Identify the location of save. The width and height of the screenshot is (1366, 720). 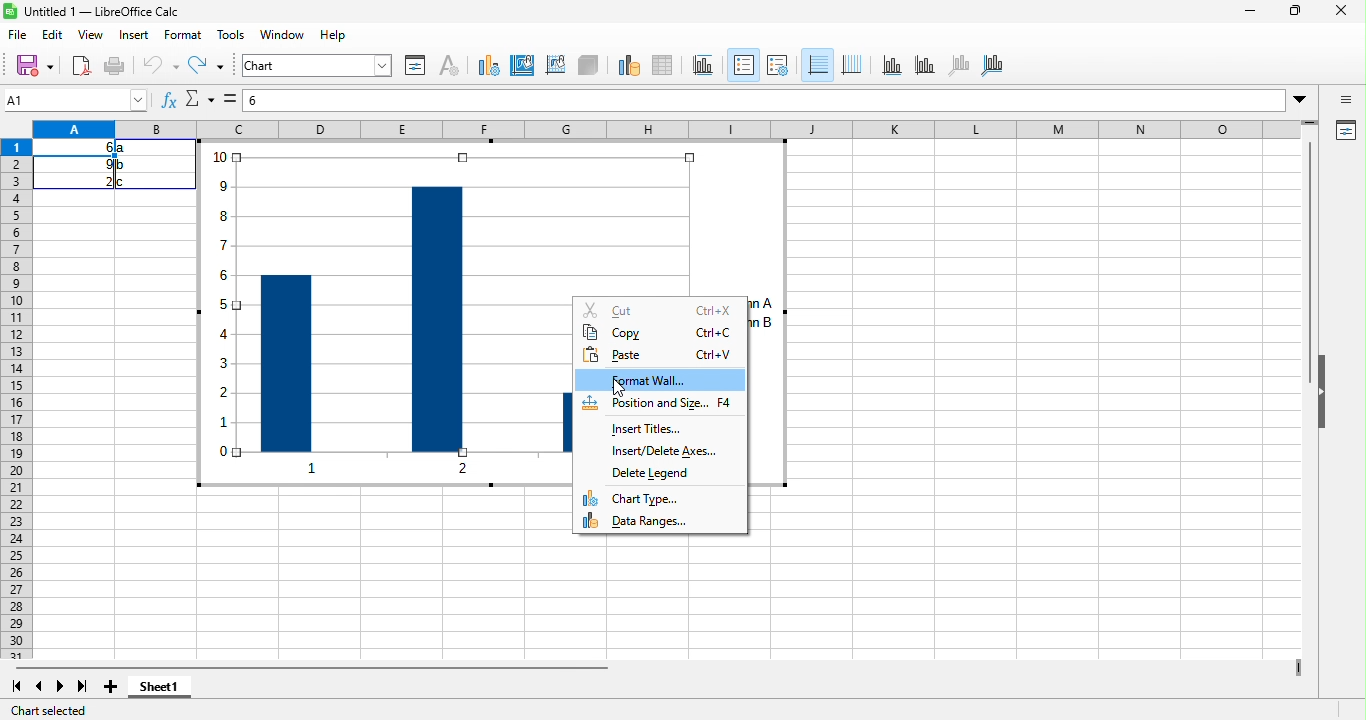
(36, 68).